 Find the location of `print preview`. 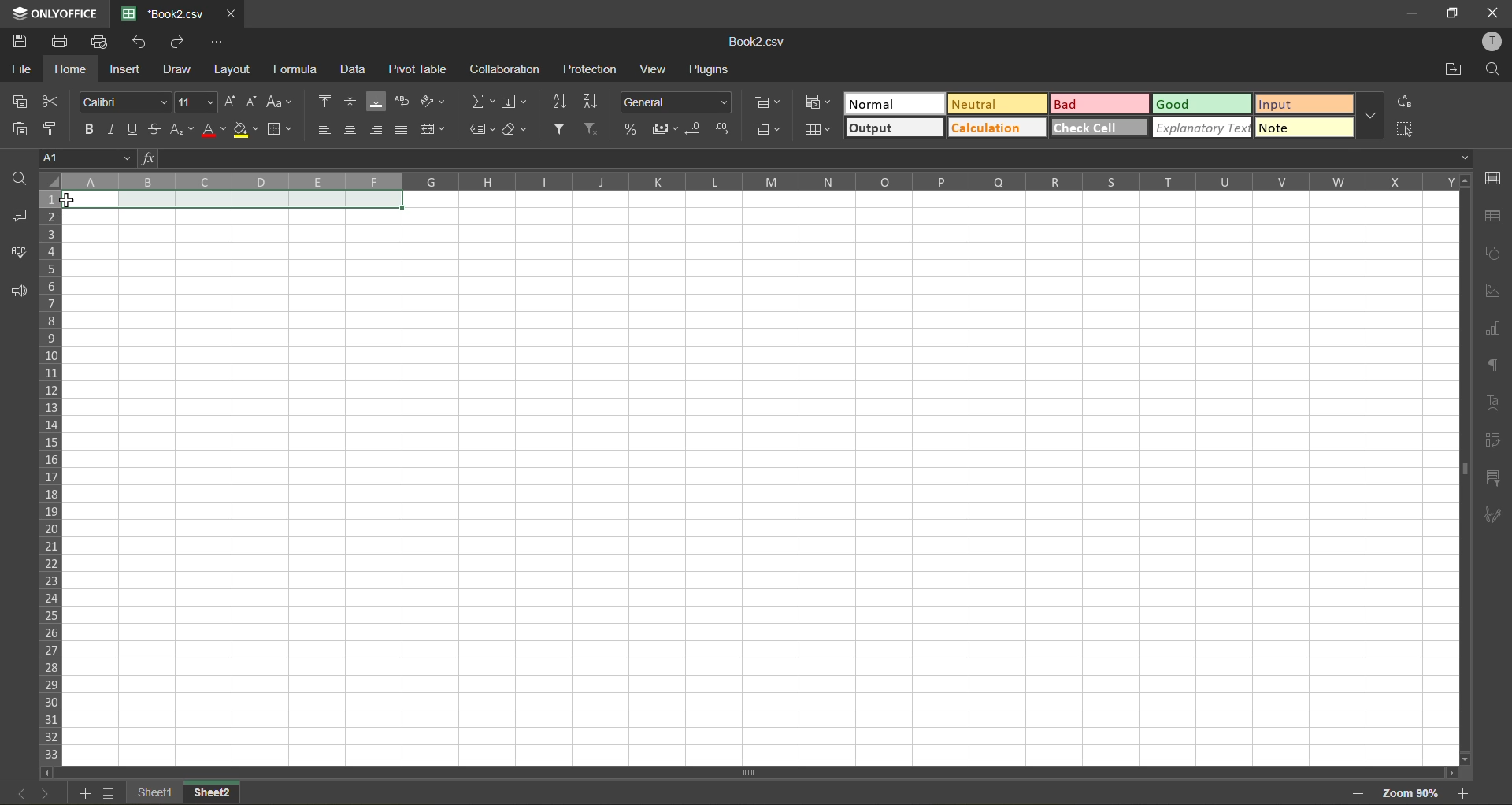

print preview is located at coordinates (102, 42).